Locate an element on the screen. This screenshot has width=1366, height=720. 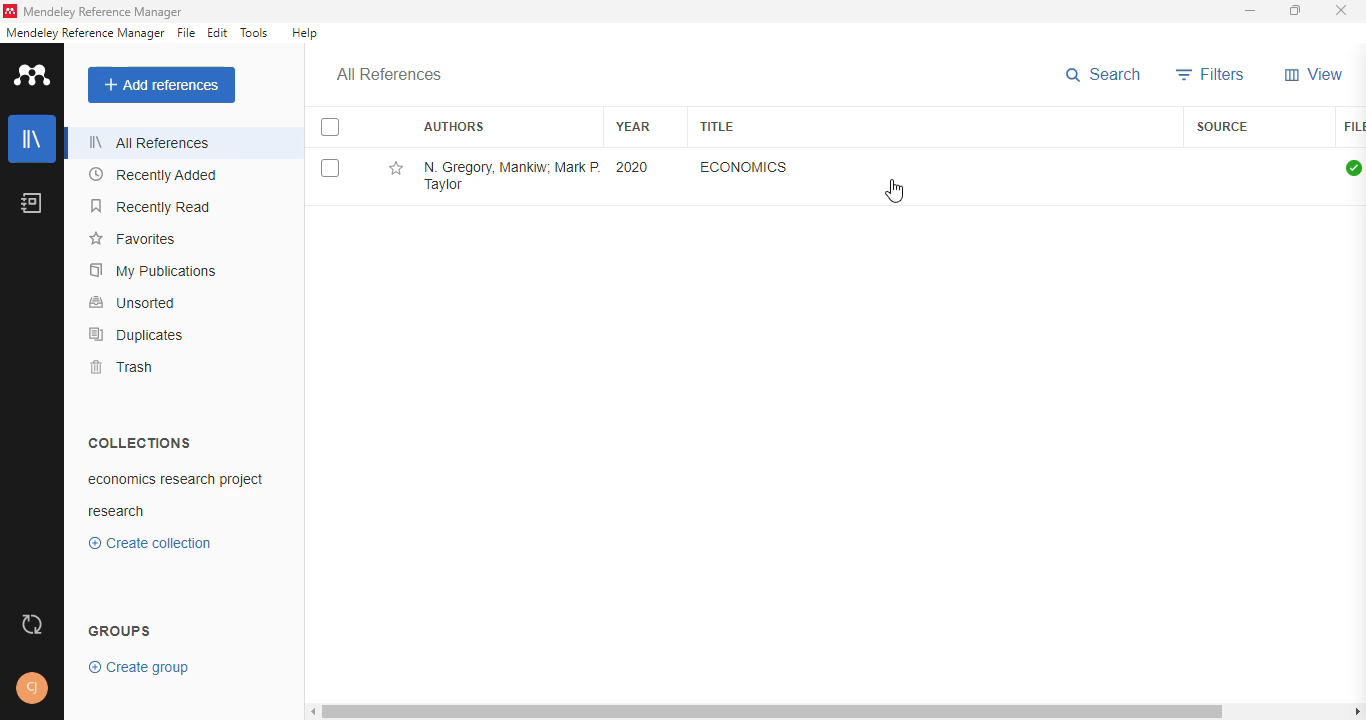
file is located at coordinates (1353, 126).